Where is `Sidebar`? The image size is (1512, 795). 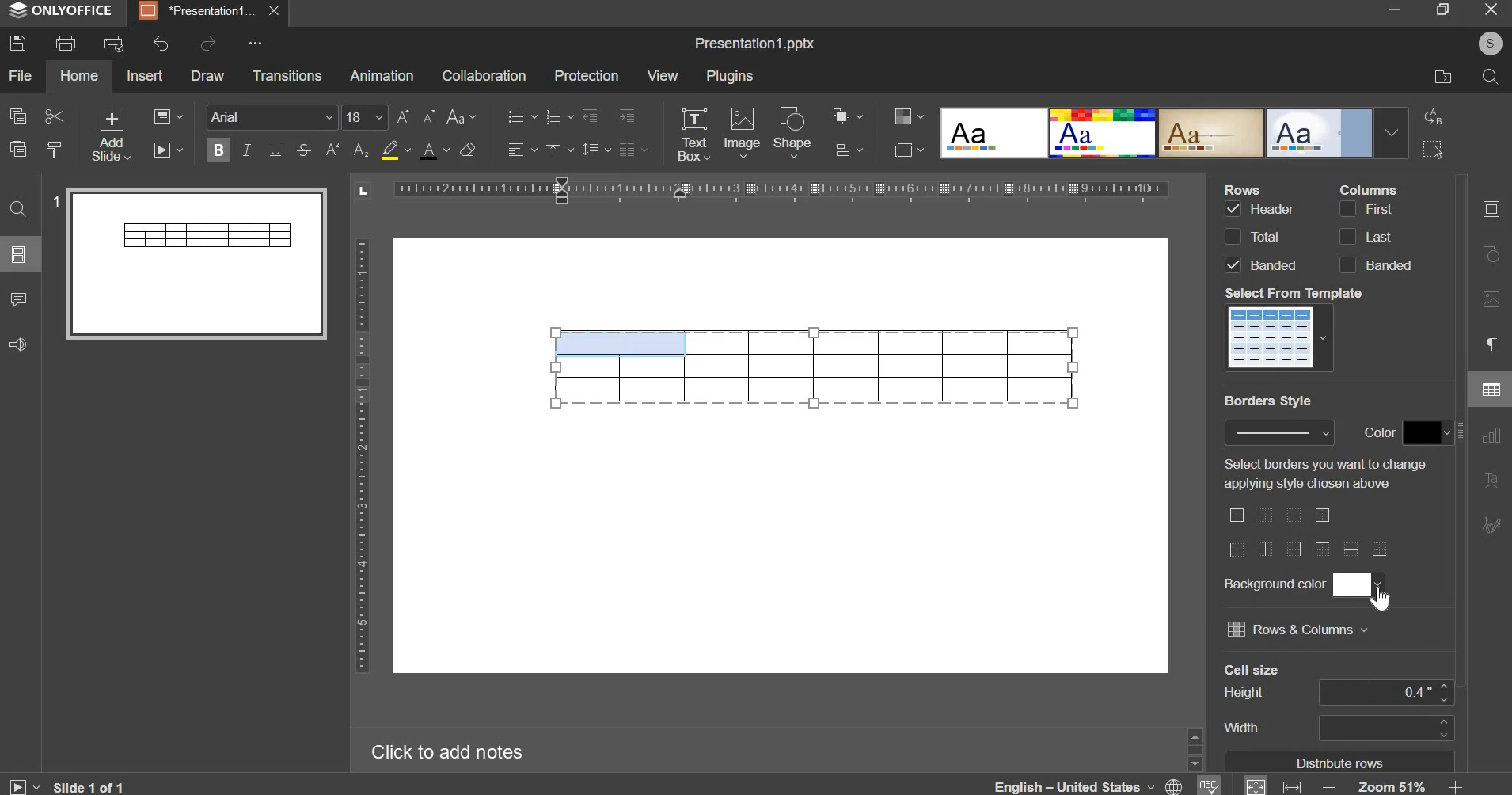
Sidebar is located at coordinates (1194, 747).